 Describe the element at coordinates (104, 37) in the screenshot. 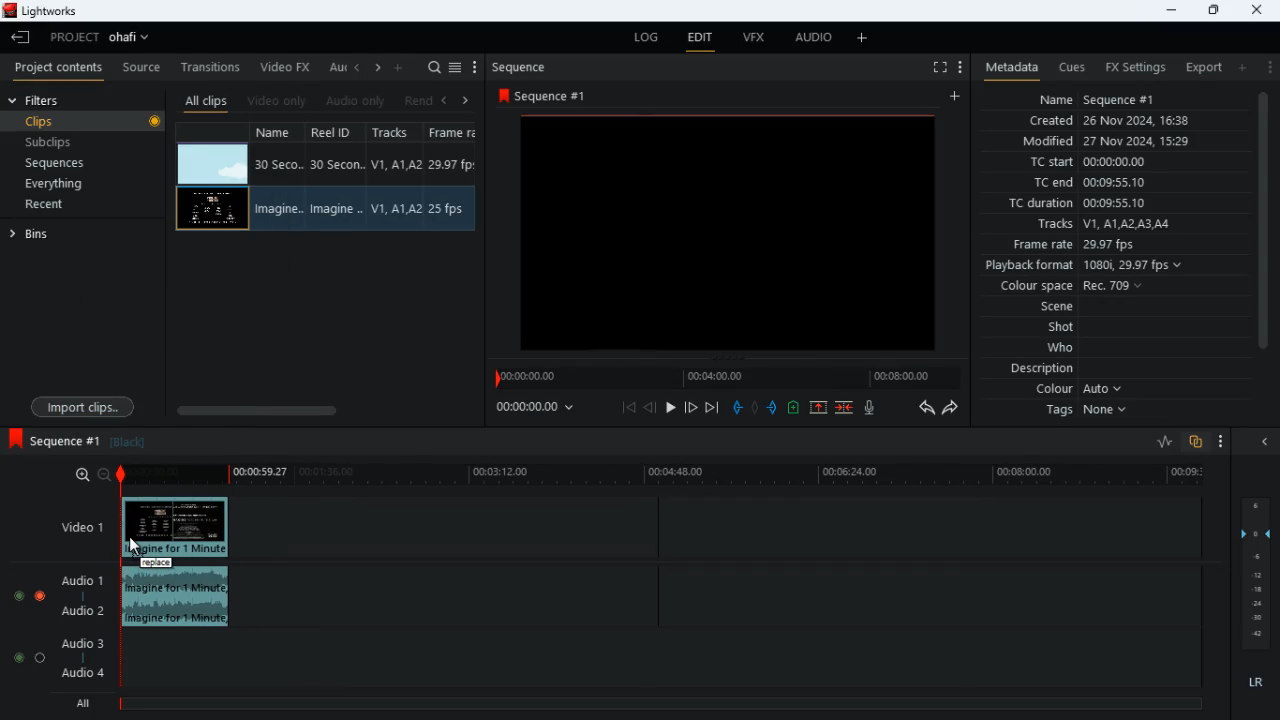

I see `project` at that location.